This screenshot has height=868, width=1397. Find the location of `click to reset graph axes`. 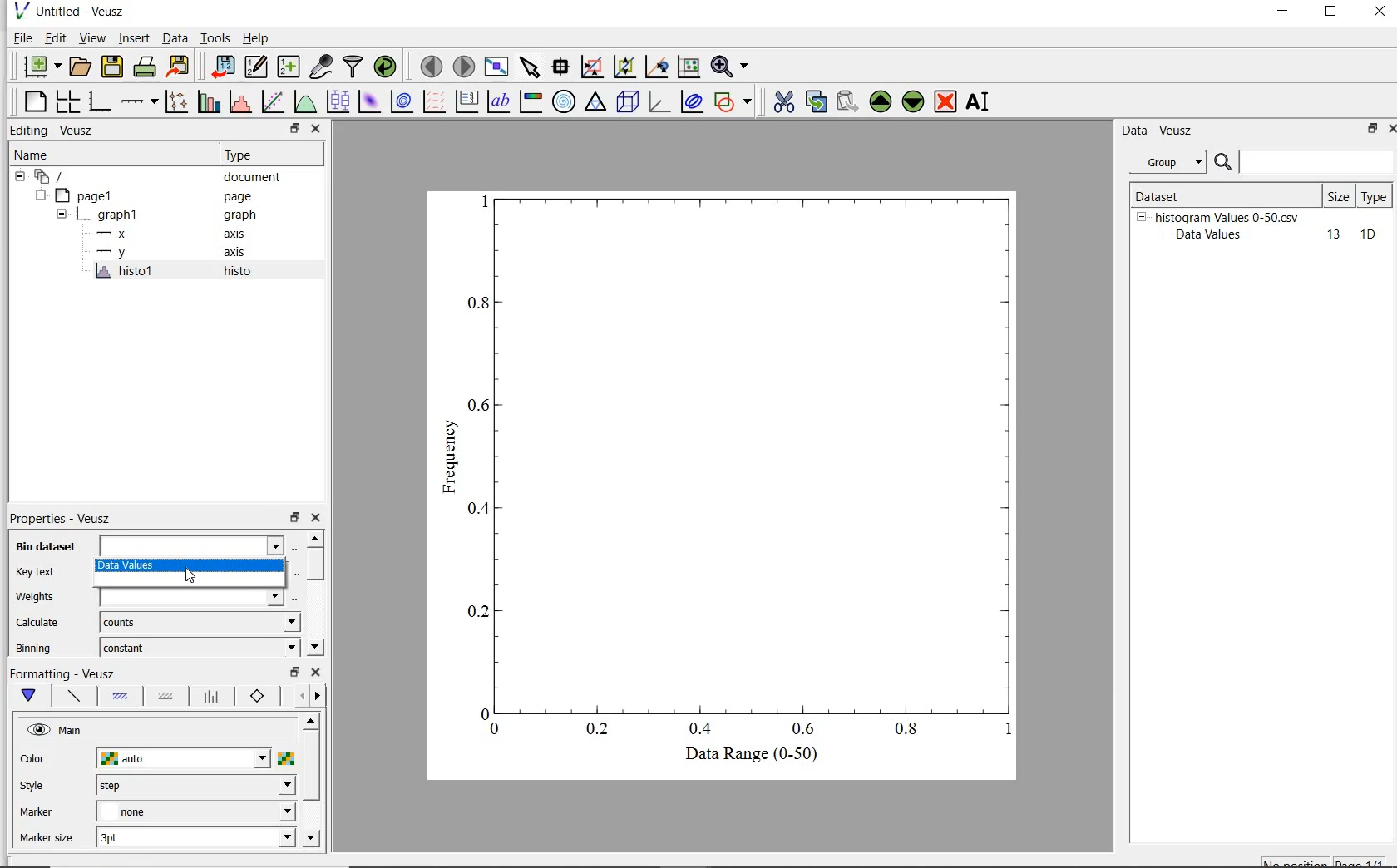

click to reset graph axes is located at coordinates (591, 67).